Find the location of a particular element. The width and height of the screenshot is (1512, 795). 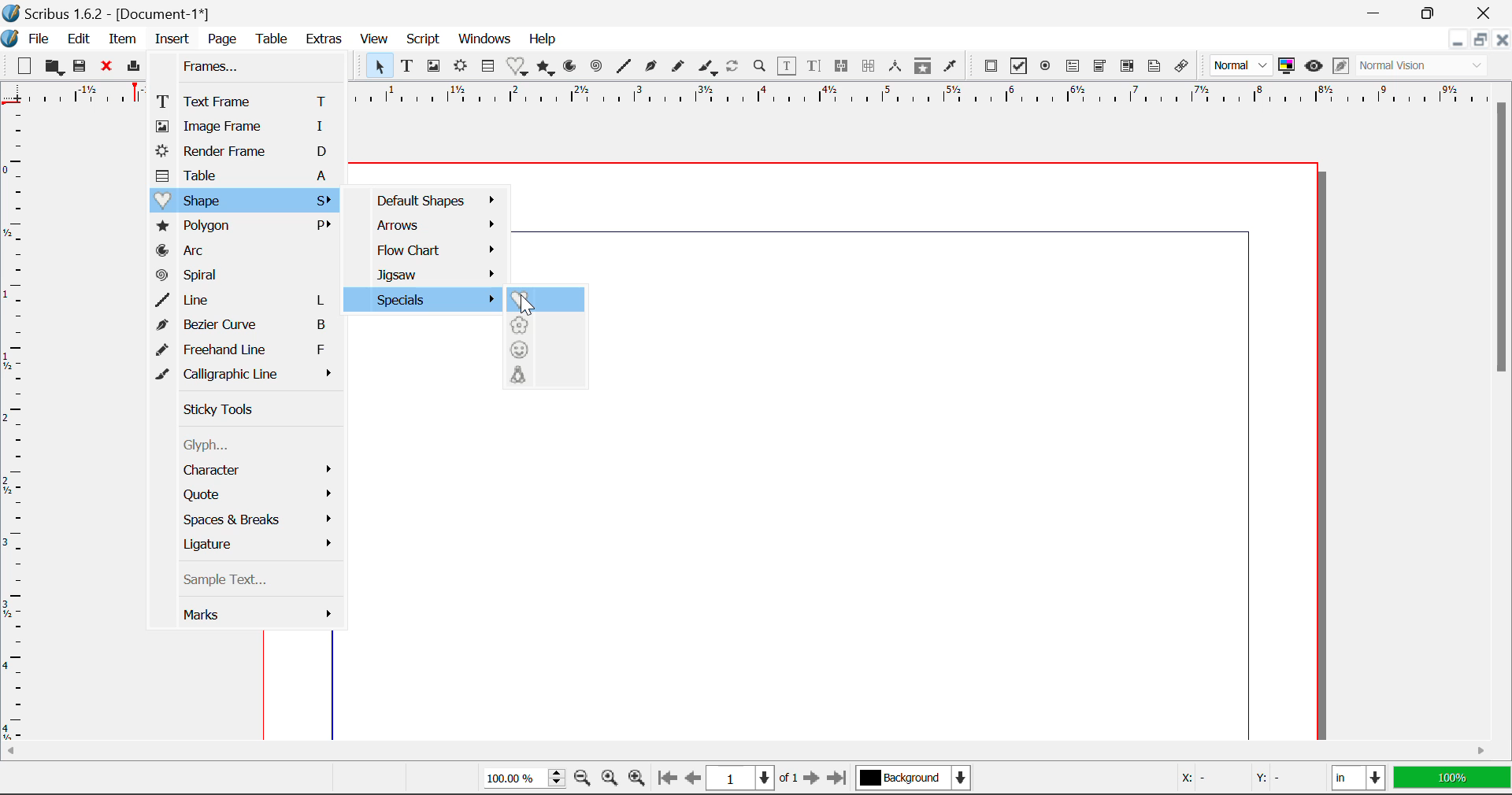

Restore Down is located at coordinates (1378, 12).